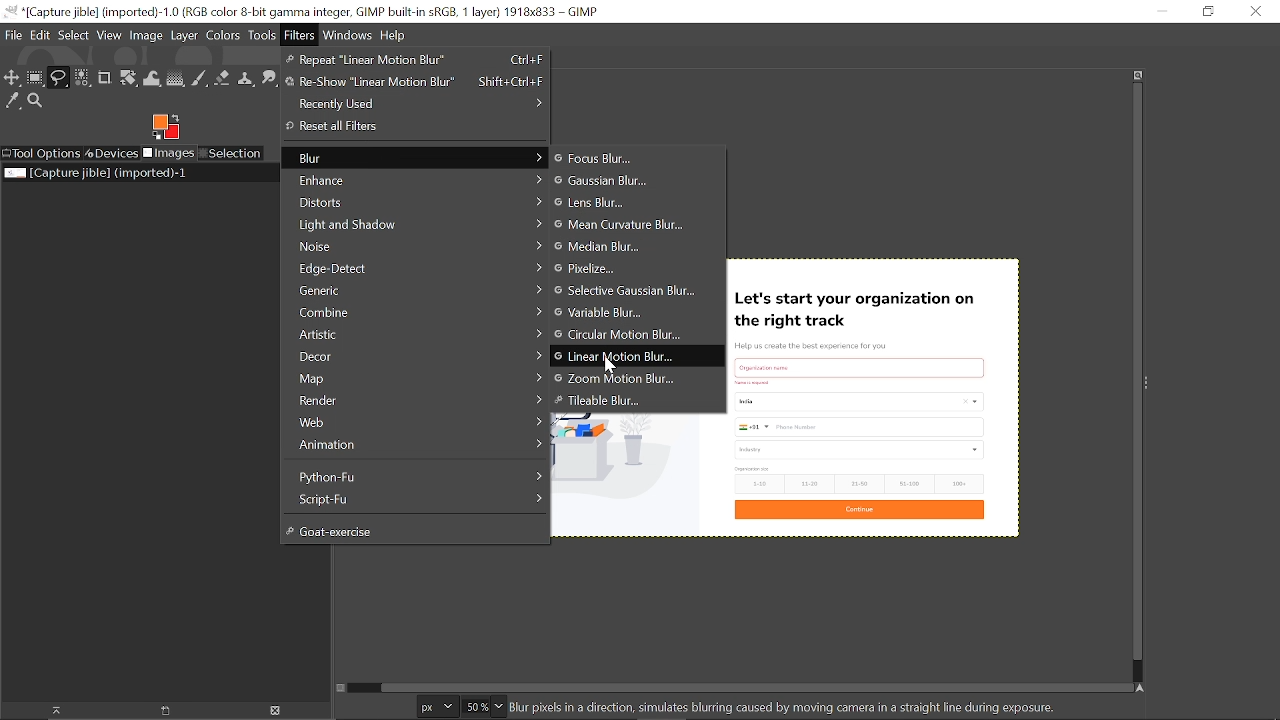  Describe the element at coordinates (222, 78) in the screenshot. I see `Eraser tool` at that location.